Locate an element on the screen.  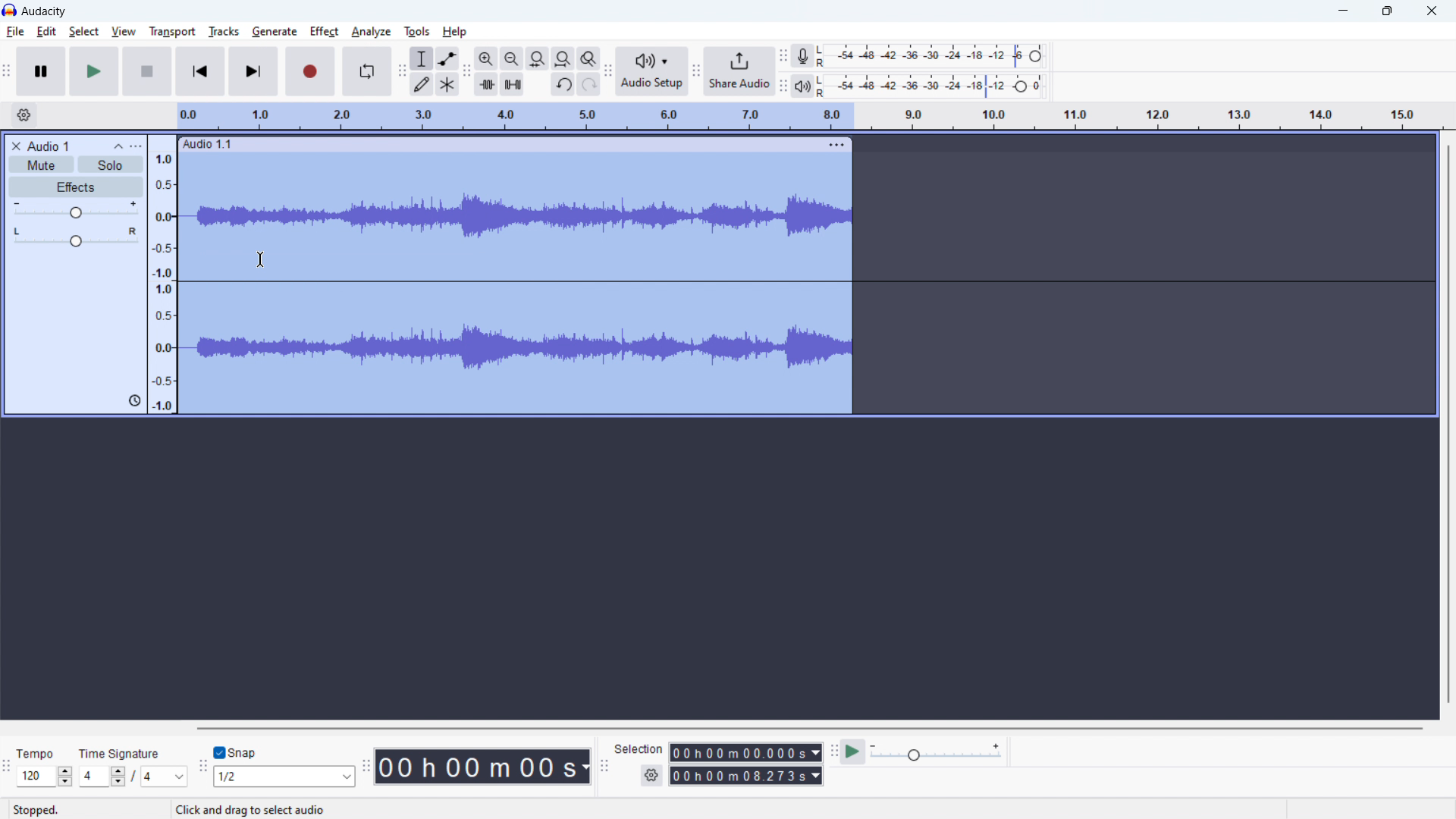
skip to start is located at coordinates (201, 71).